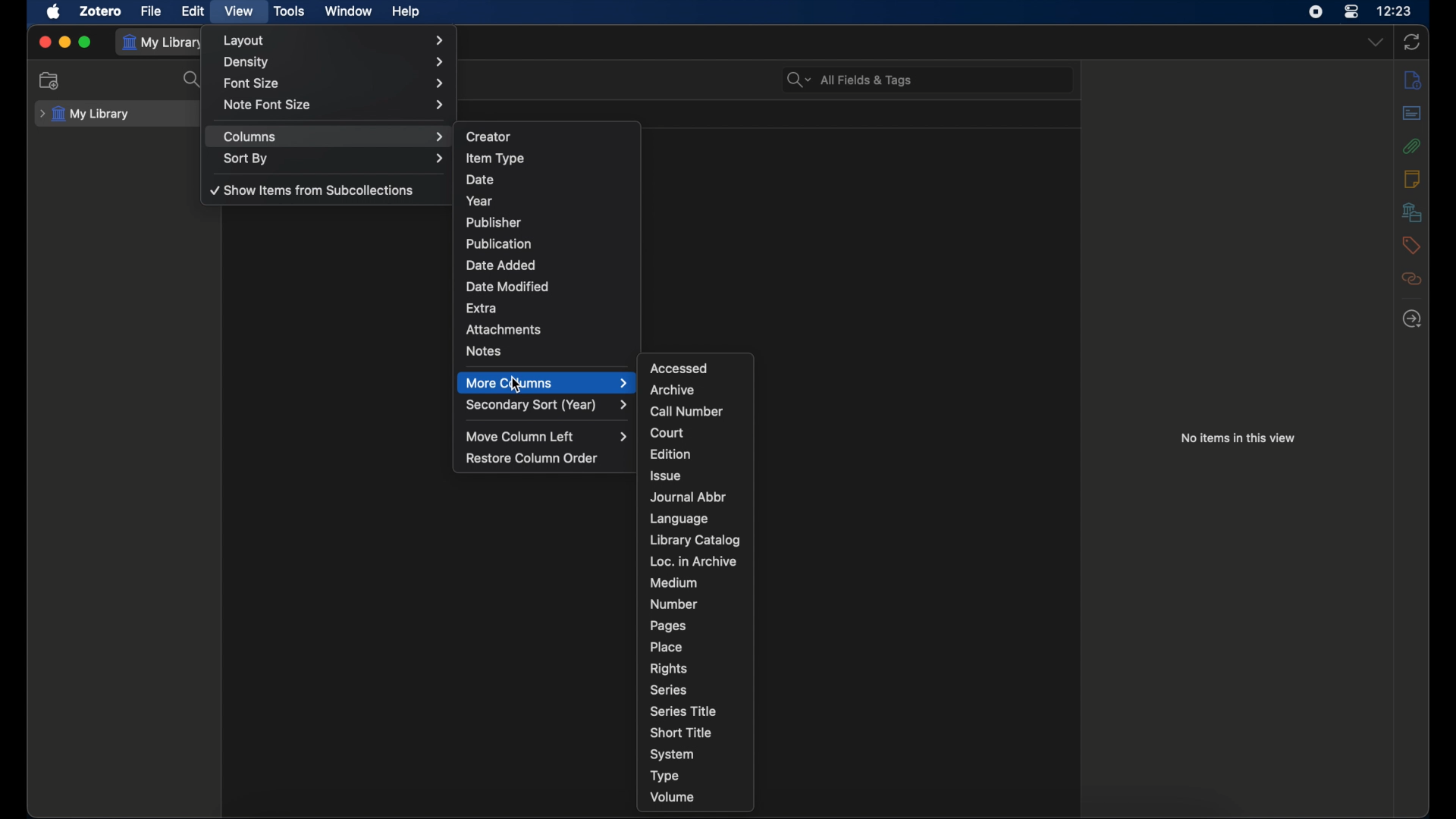 This screenshot has height=819, width=1456. What do you see at coordinates (673, 583) in the screenshot?
I see `medium` at bounding box center [673, 583].